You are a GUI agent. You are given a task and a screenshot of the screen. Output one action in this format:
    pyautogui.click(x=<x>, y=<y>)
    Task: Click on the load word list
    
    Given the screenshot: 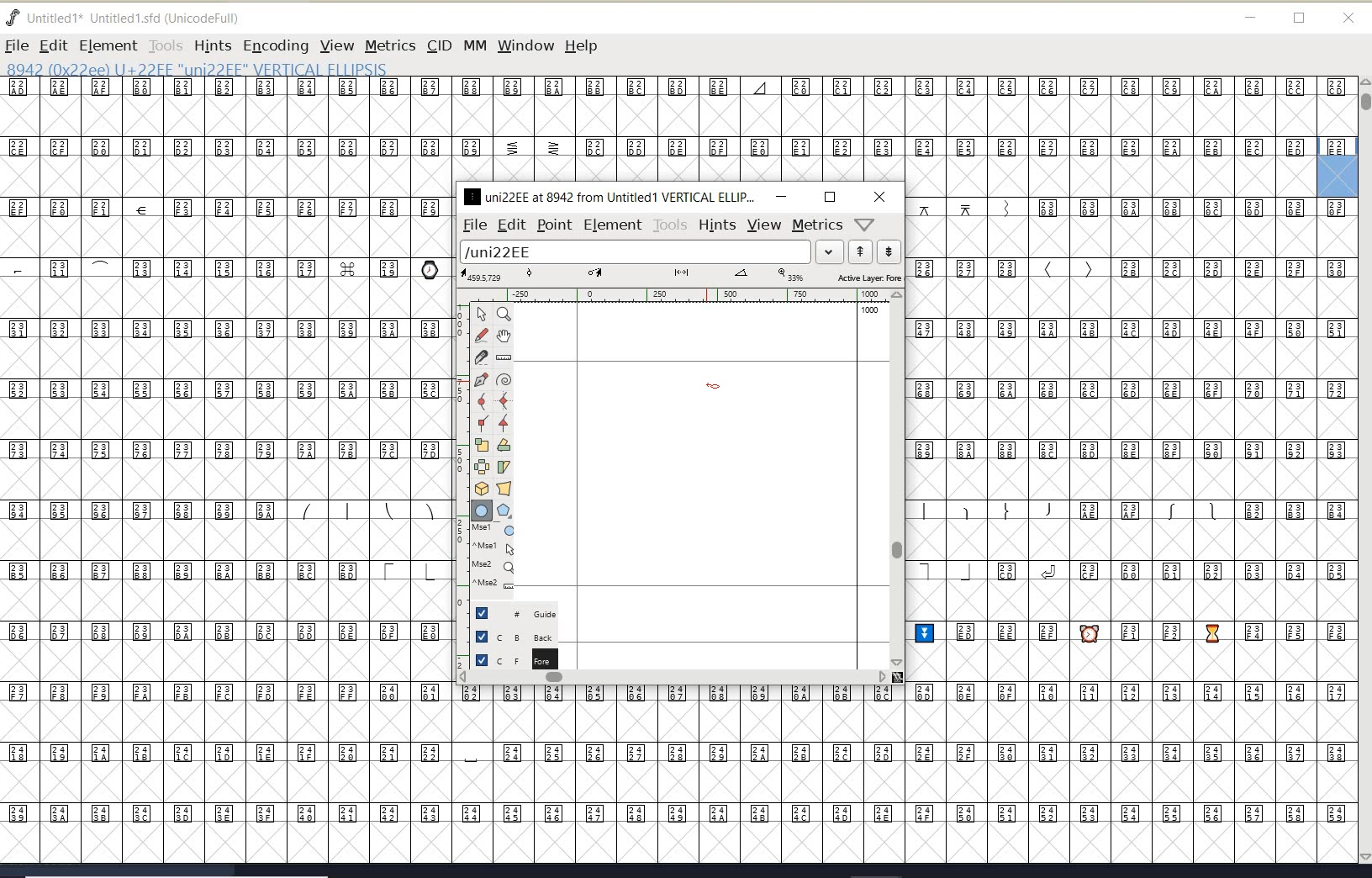 What is the action you would take?
    pyautogui.click(x=648, y=253)
    